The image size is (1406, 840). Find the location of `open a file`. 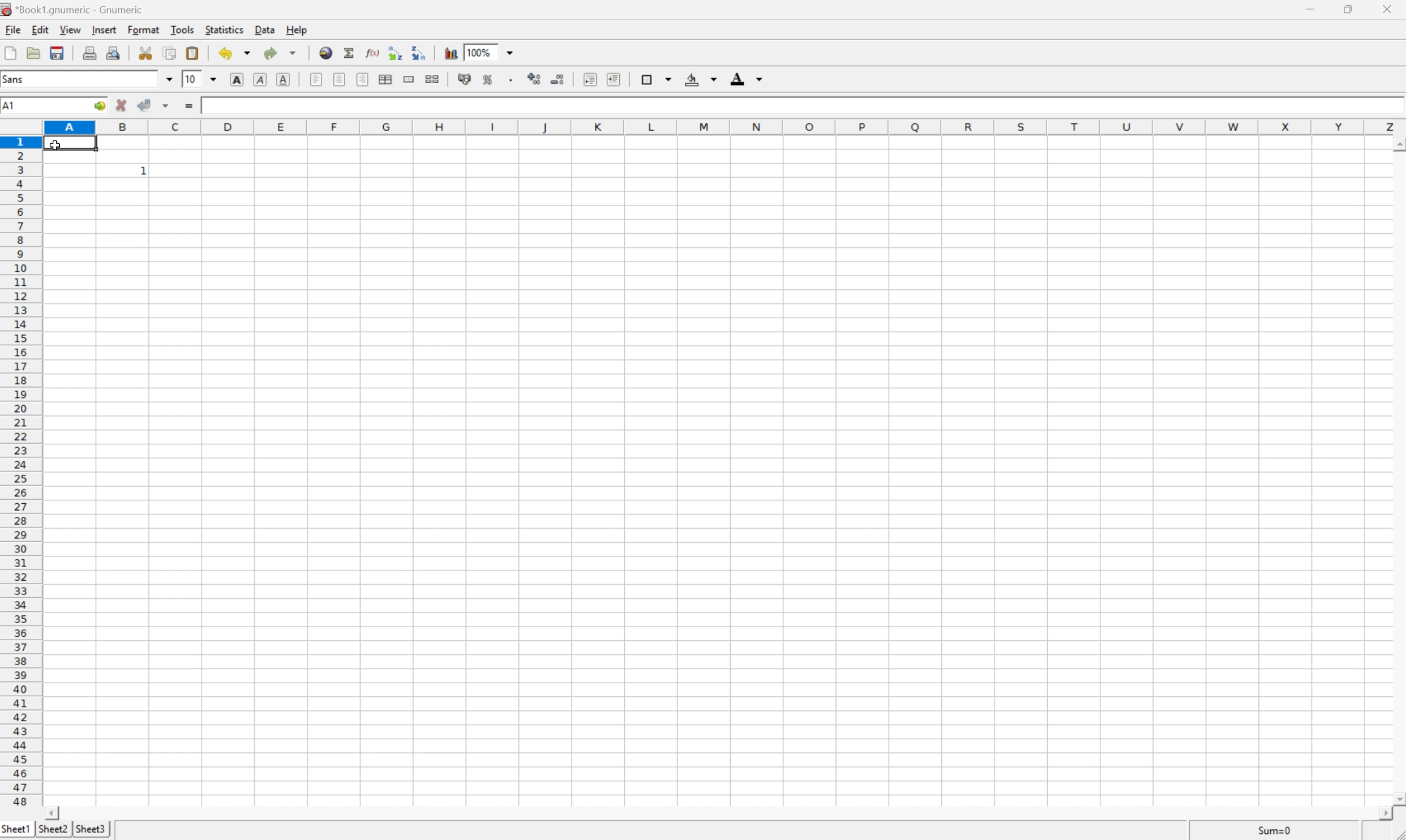

open a file is located at coordinates (32, 54).